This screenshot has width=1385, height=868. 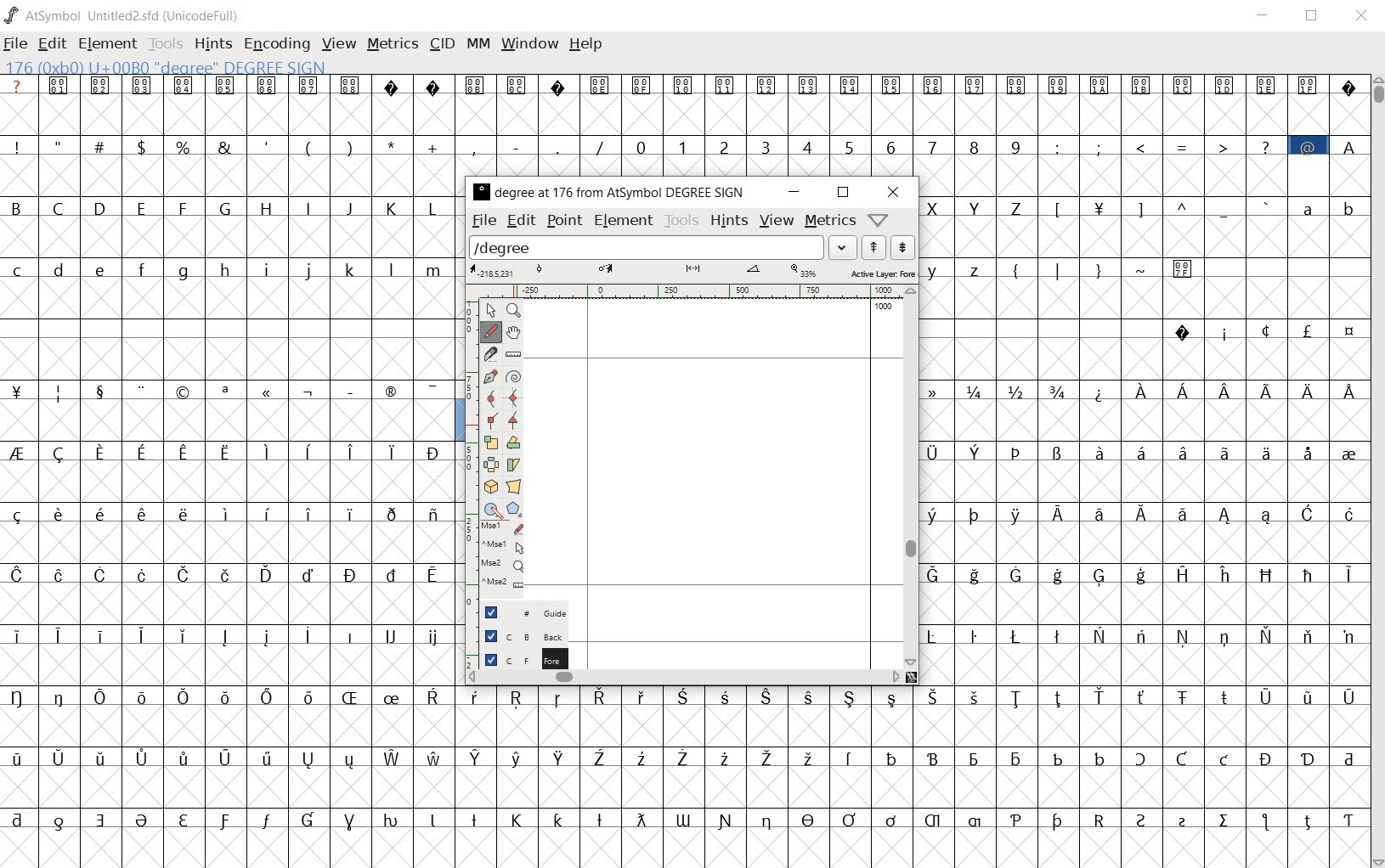 I want to click on unsupported character, so click(x=559, y=84).